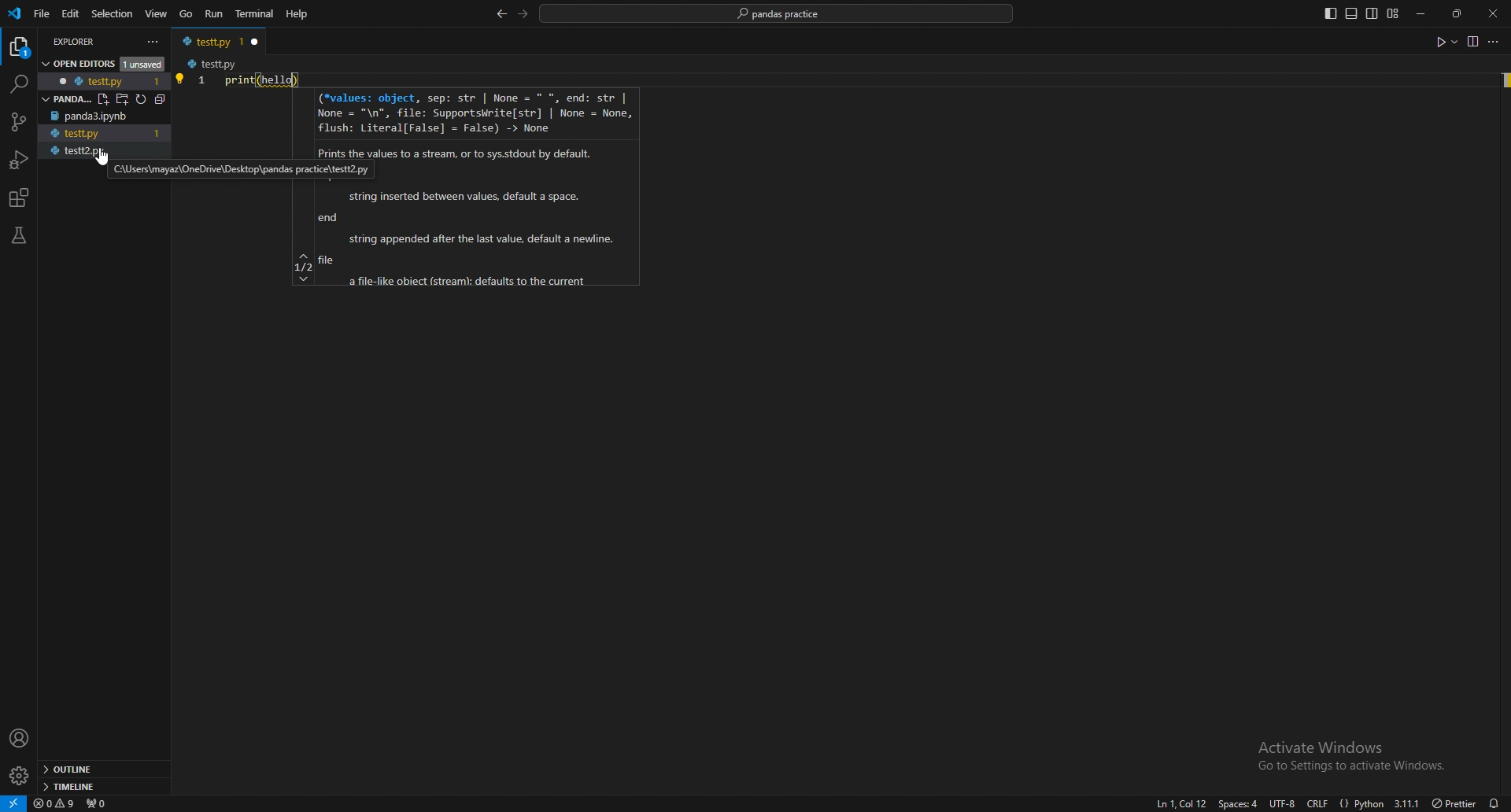  What do you see at coordinates (17, 122) in the screenshot?
I see `source control` at bounding box center [17, 122].